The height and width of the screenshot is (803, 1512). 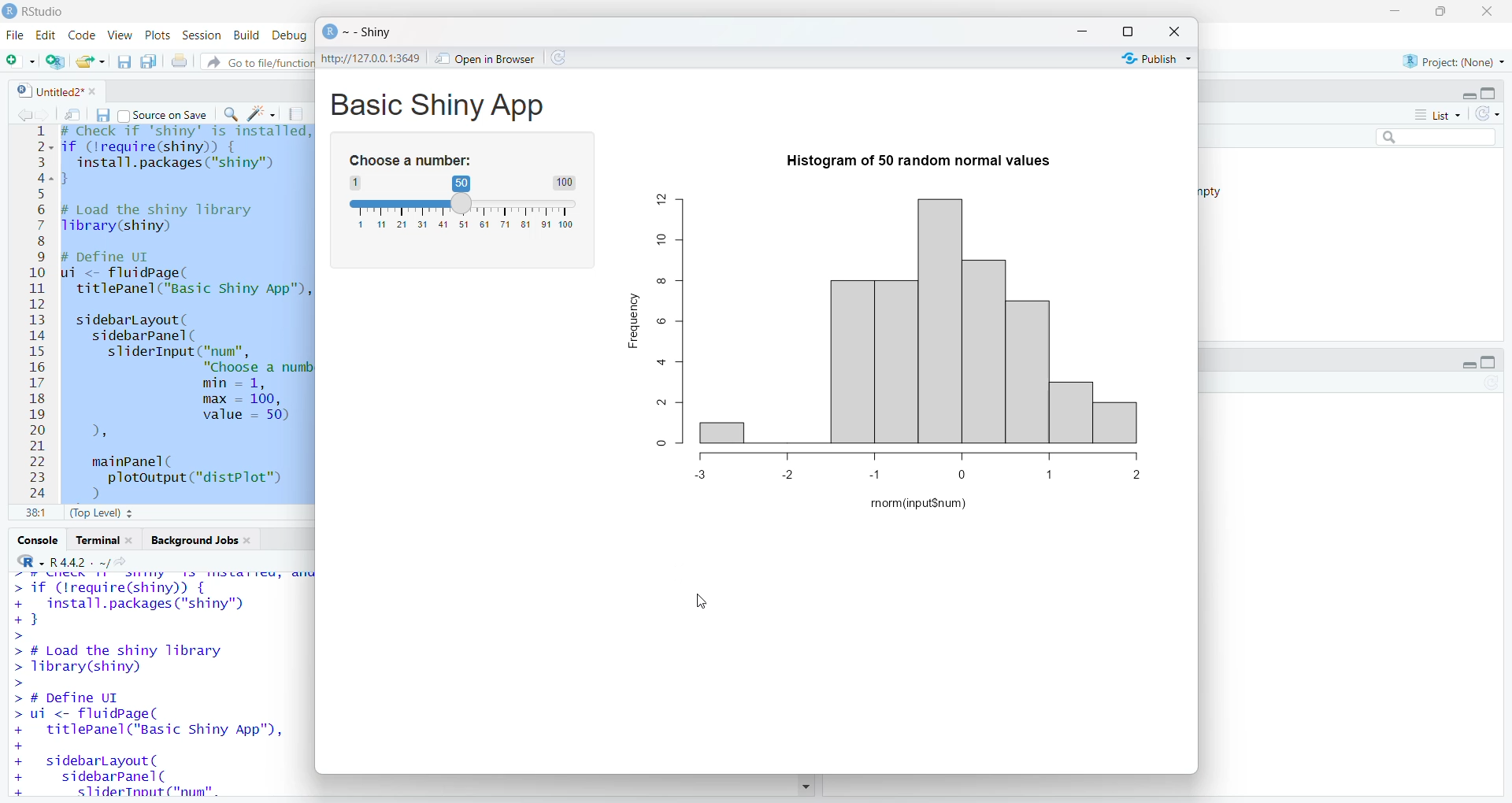 I want to click on logo, so click(x=9, y=11).